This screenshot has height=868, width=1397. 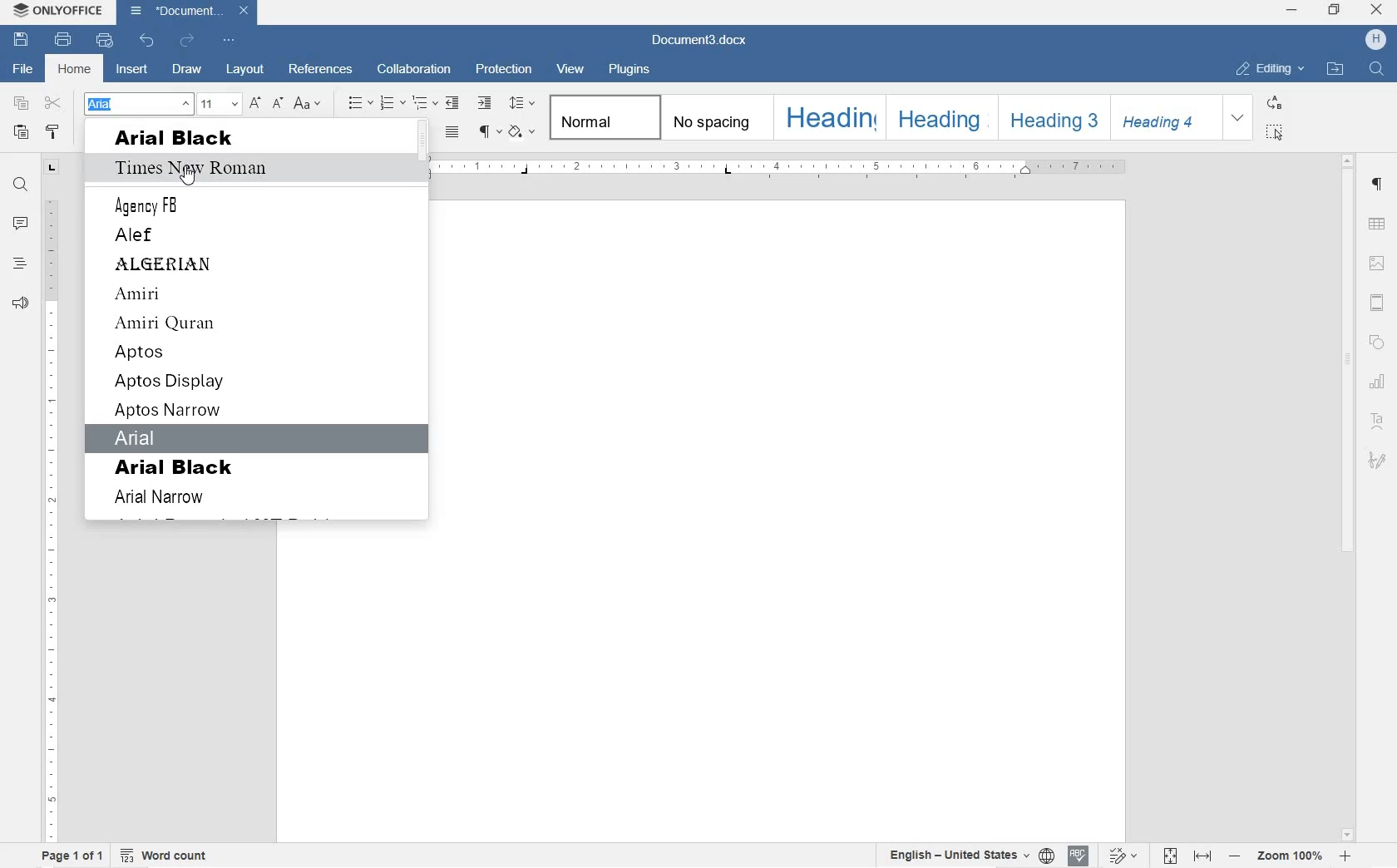 What do you see at coordinates (452, 104) in the screenshot?
I see `DECREASE INDENT` at bounding box center [452, 104].